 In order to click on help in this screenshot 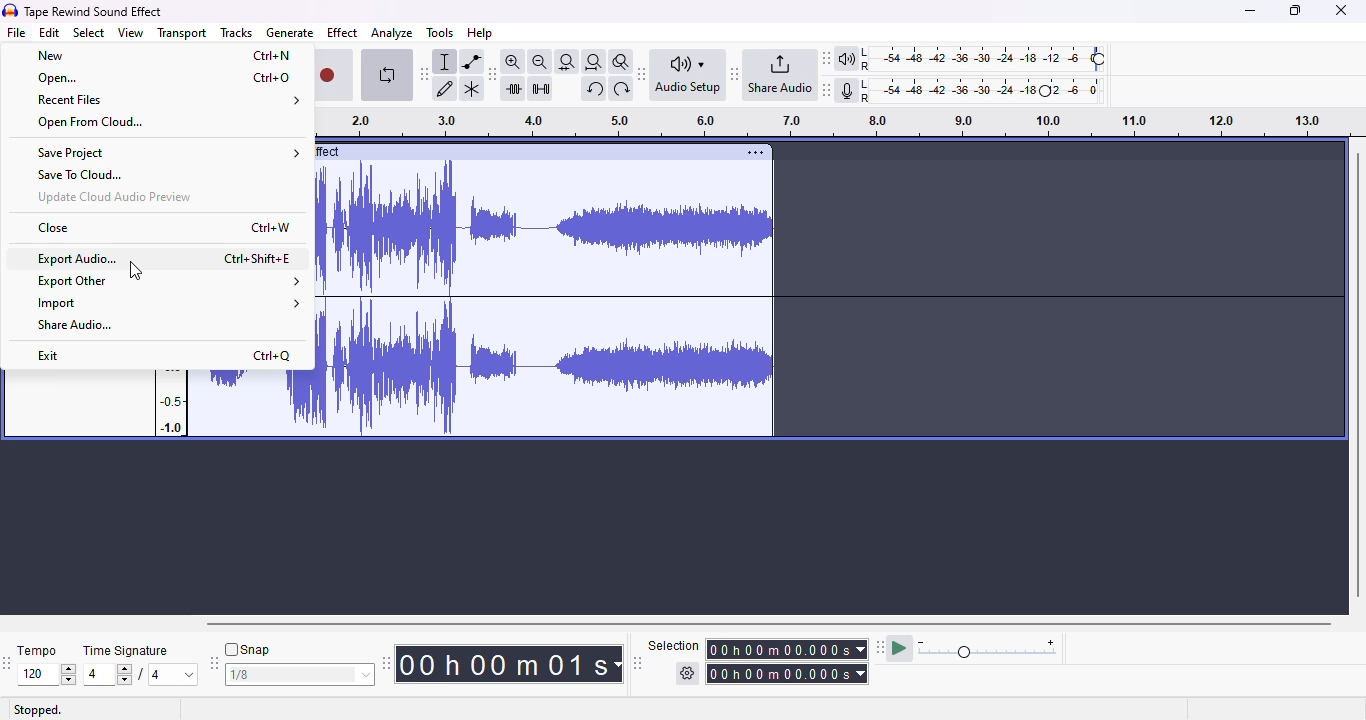, I will do `click(480, 33)`.